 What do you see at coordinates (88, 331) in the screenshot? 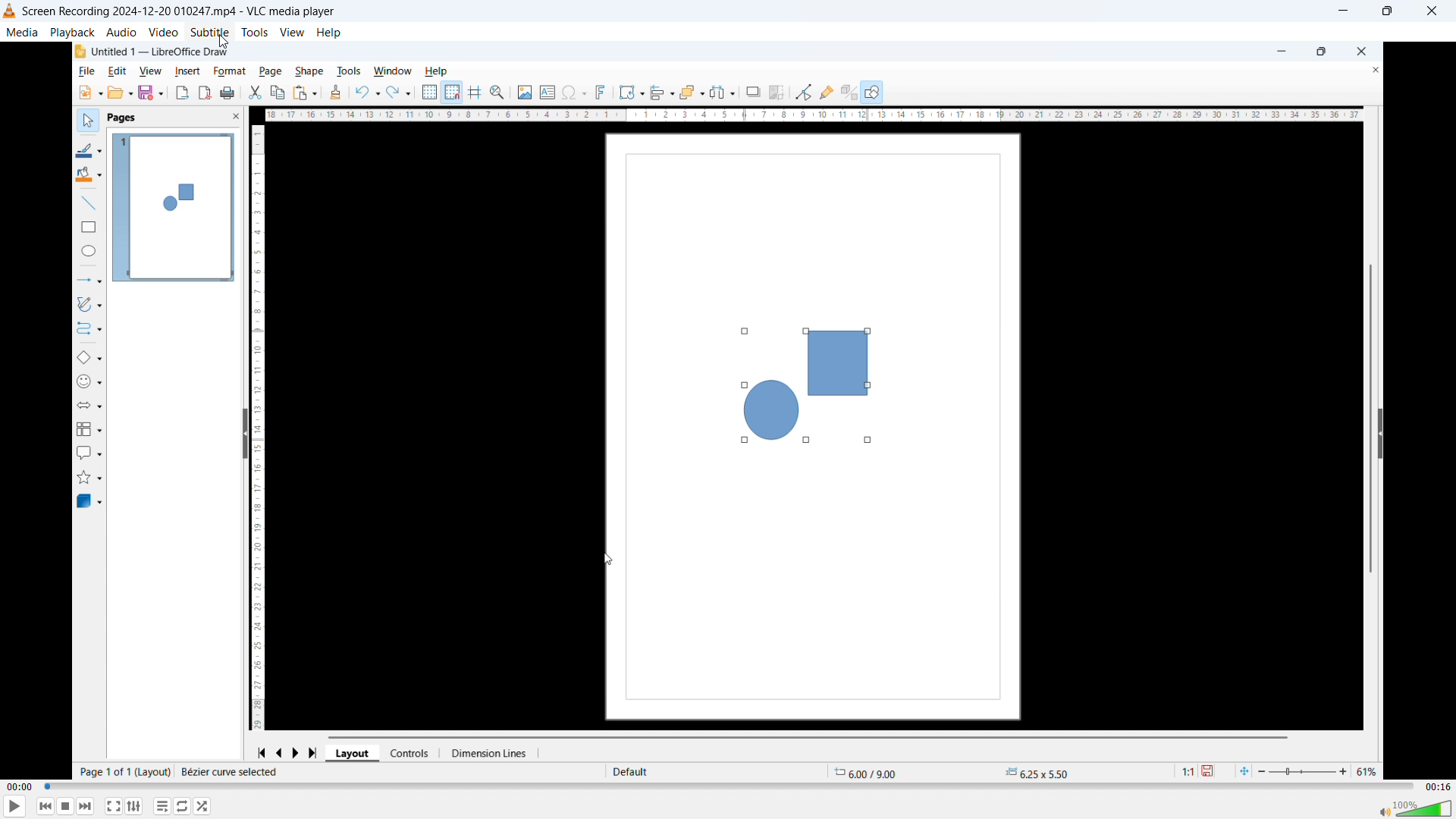
I see `connectors` at bounding box center [88, 331].